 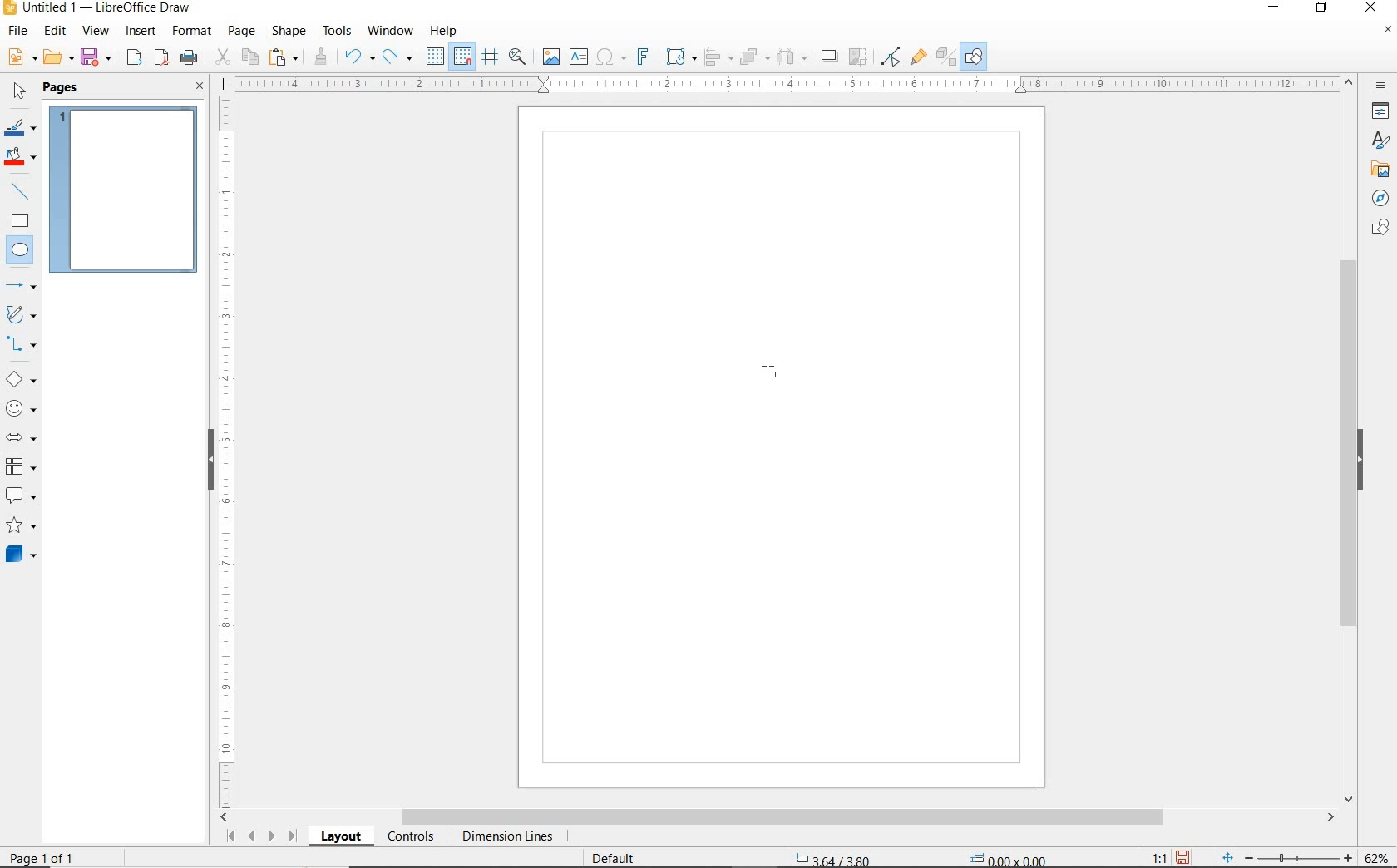 What do you see at coordinates (398, 57) in the screenshot?
I see `REDO` at bounding box center [398, 57].